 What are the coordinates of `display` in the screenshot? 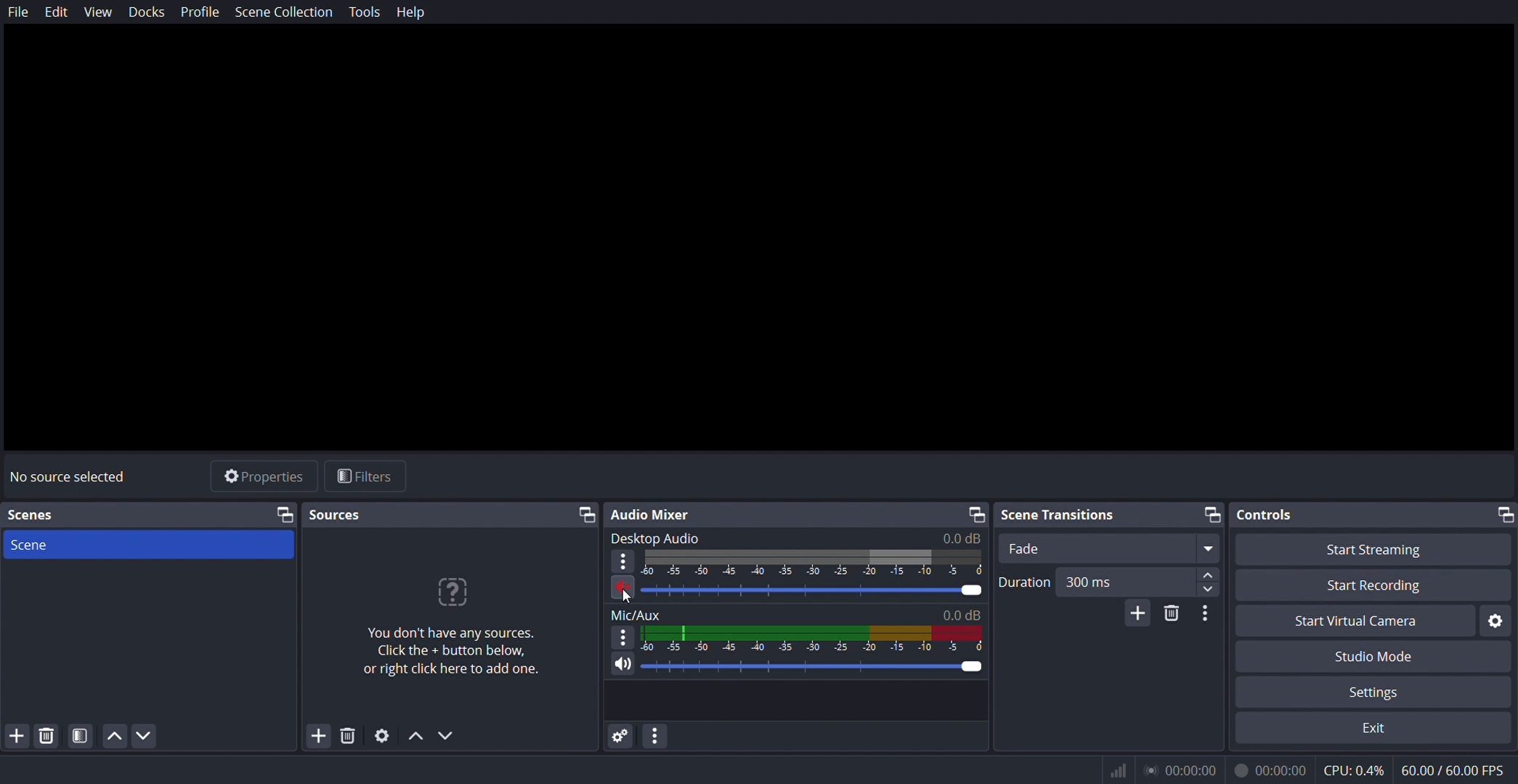 It's located at (812, 565).